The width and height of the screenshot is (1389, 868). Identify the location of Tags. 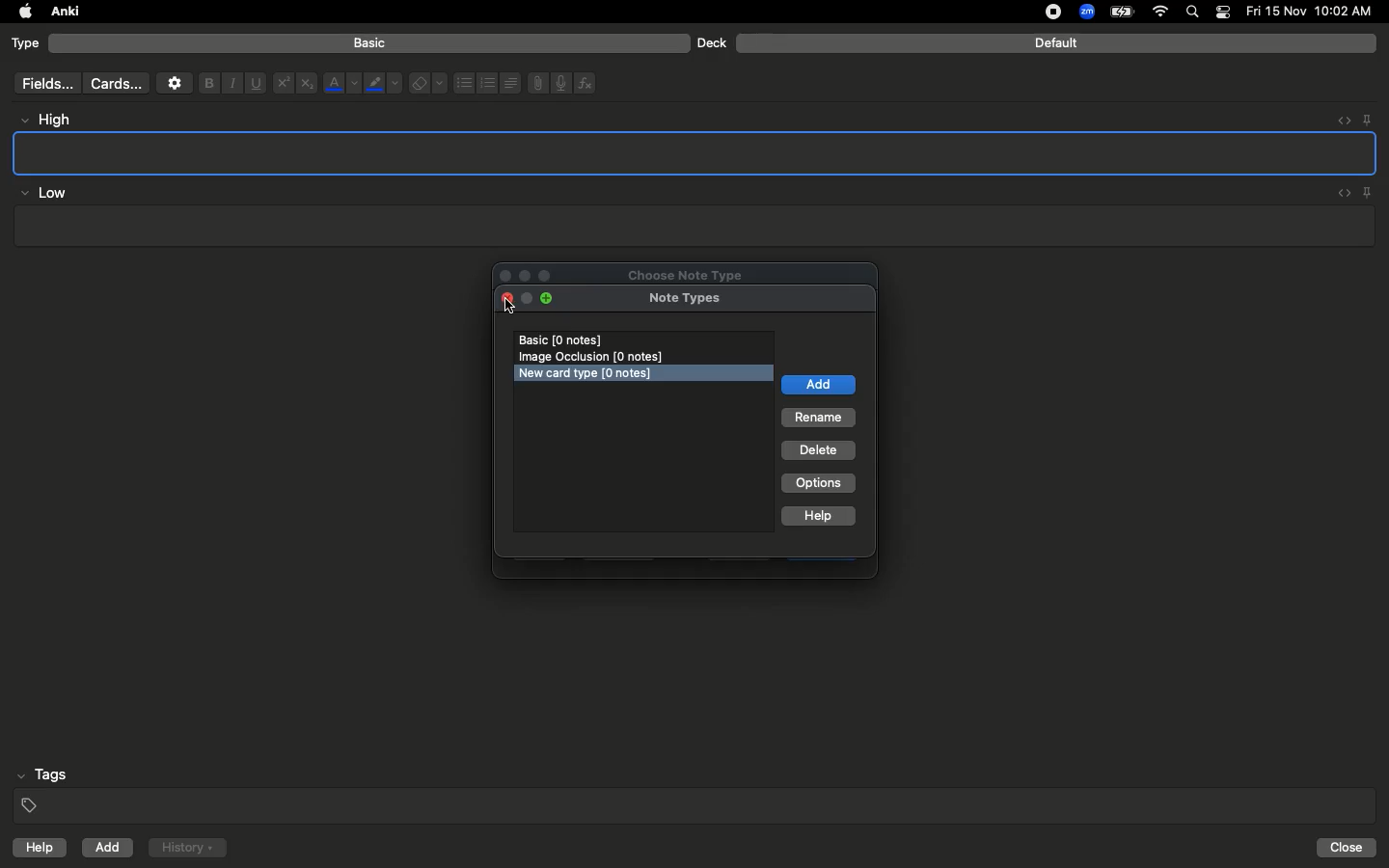
(696, 791).